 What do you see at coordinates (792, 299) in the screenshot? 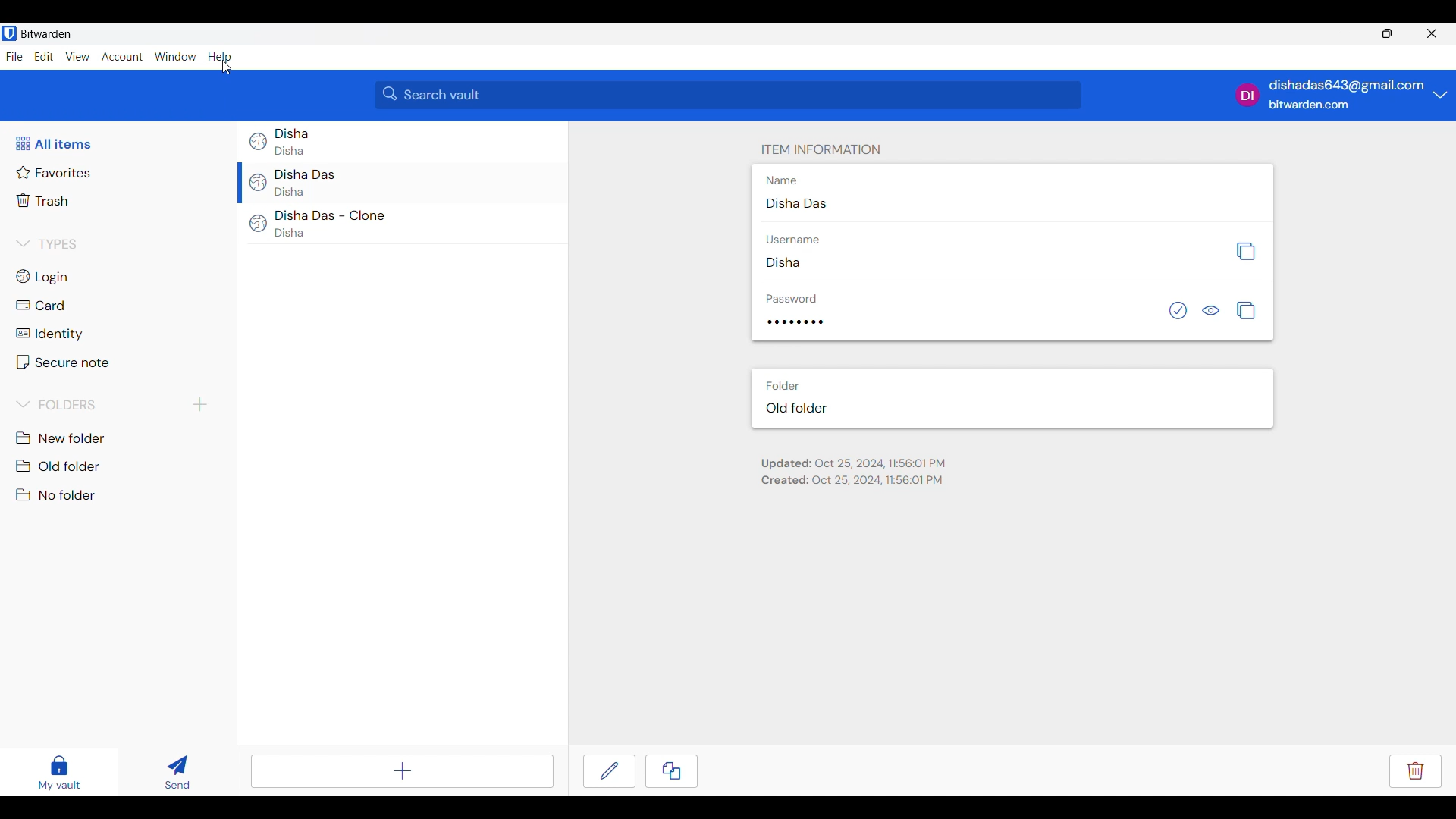
I see `Password` at bounding box center [792, 299].